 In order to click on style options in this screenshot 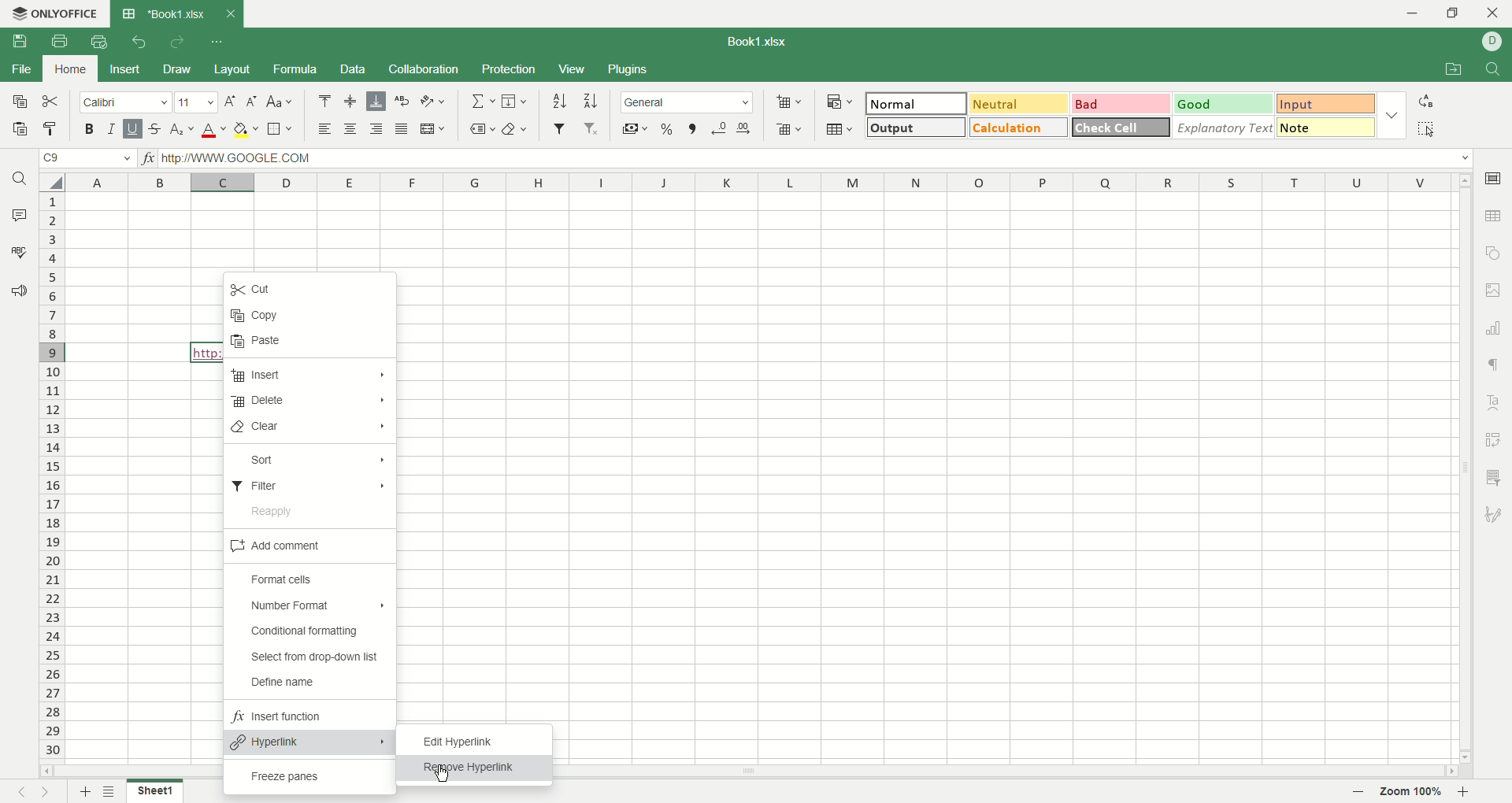, I will do `click(1390, 113)`.